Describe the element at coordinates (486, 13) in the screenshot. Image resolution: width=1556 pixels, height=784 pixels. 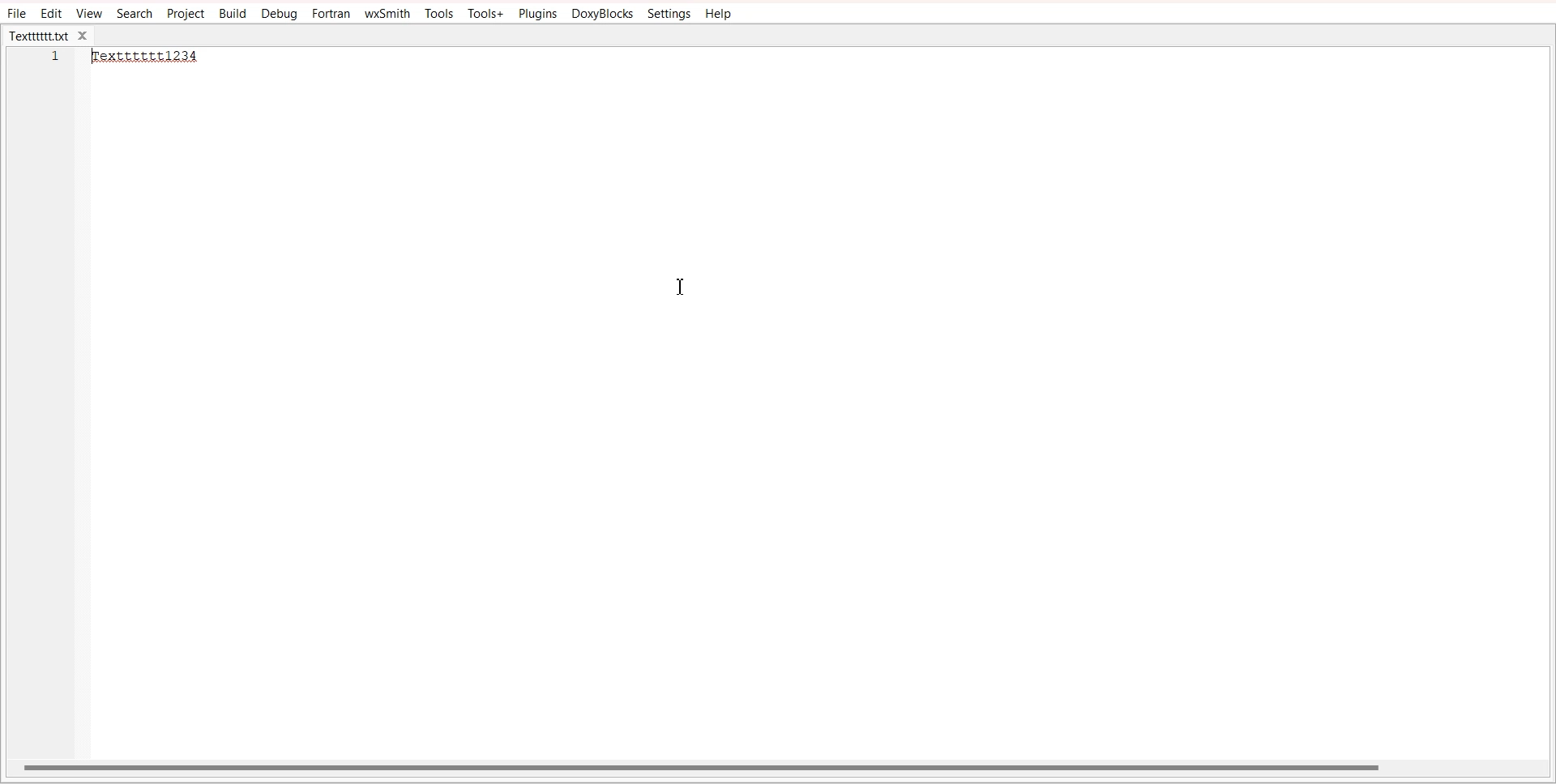
I see `Tools+` at that location.